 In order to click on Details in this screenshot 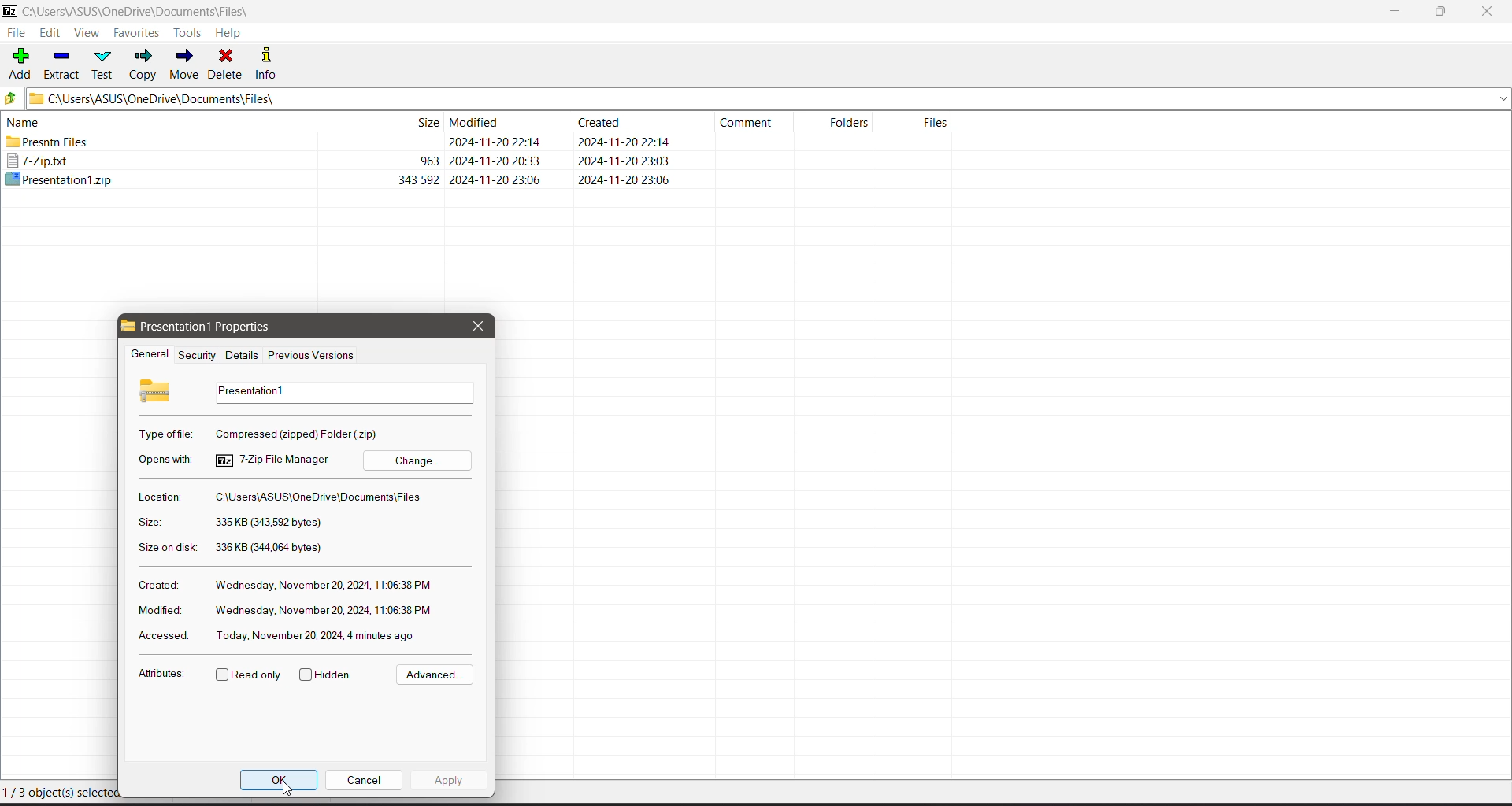, I will do `click(239, 355)`.